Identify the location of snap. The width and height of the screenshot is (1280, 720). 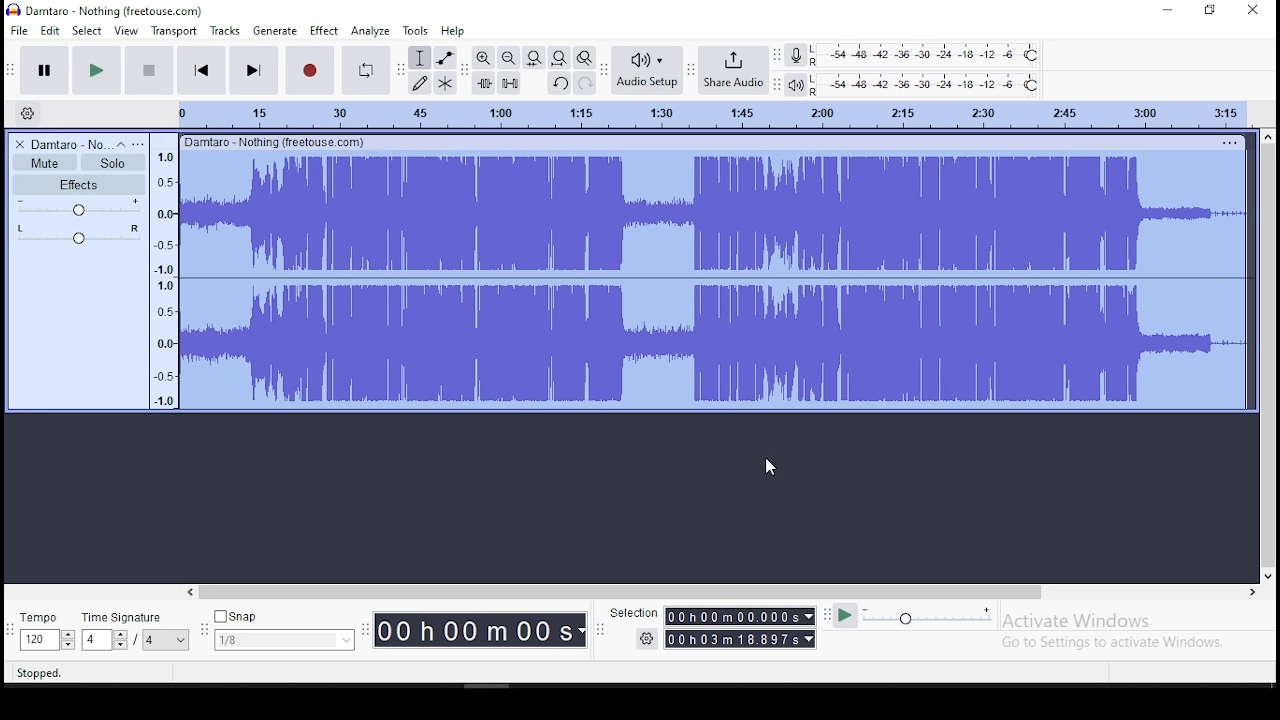
(283, 628).